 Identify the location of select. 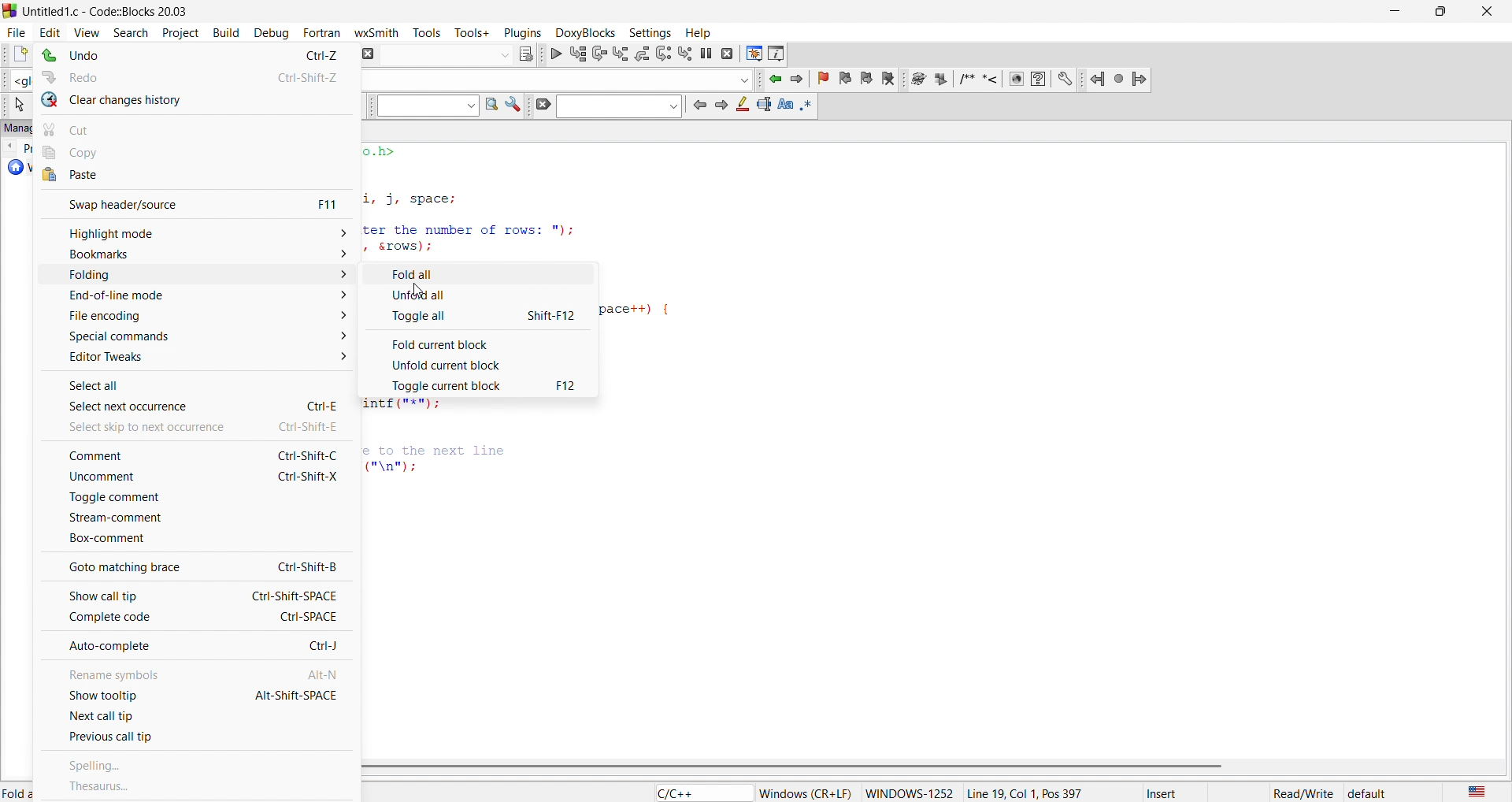
(17, 105).